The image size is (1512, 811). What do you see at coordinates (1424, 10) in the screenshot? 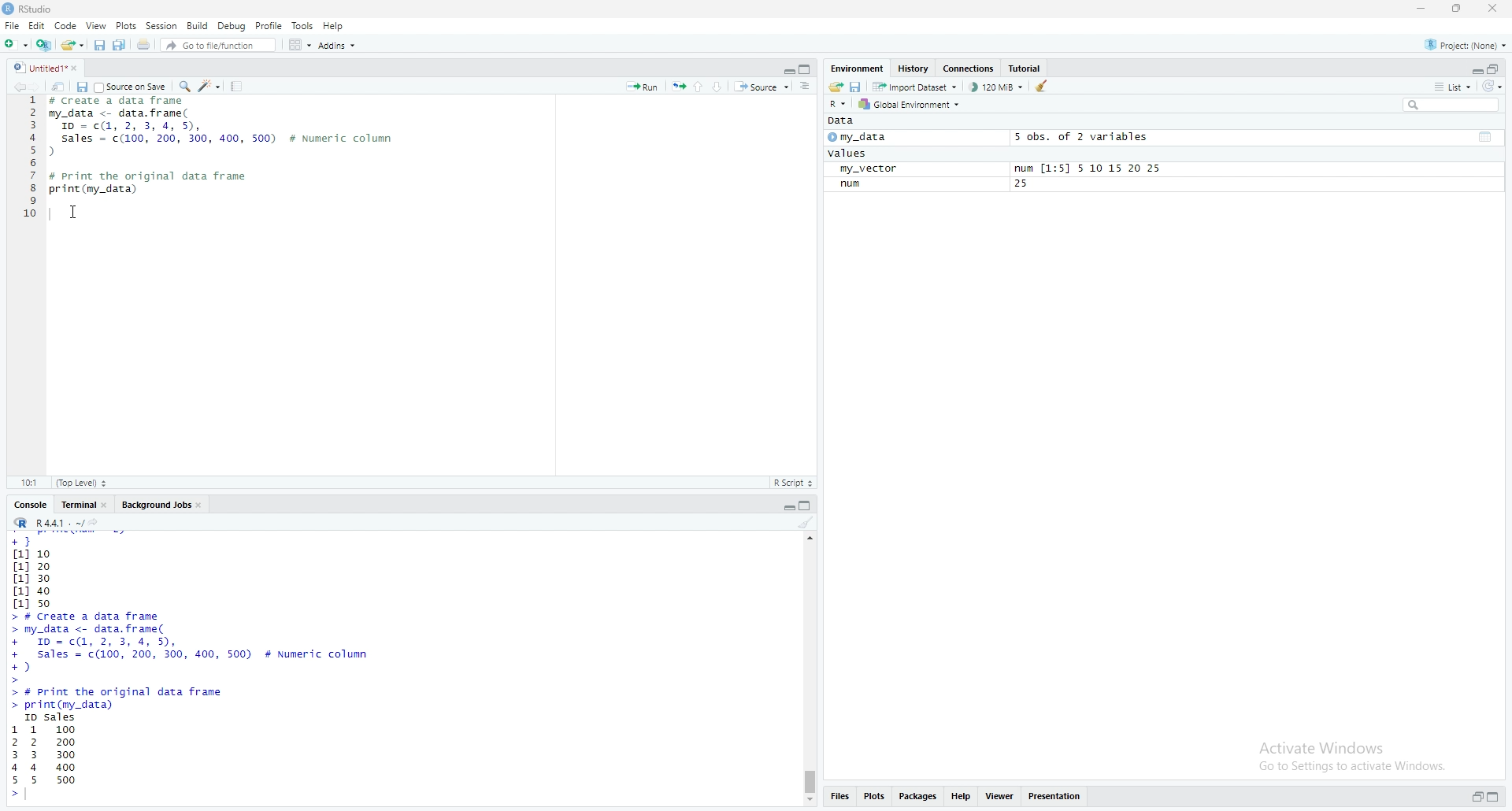
I see `minimize` at bounding box center [1424, 10].